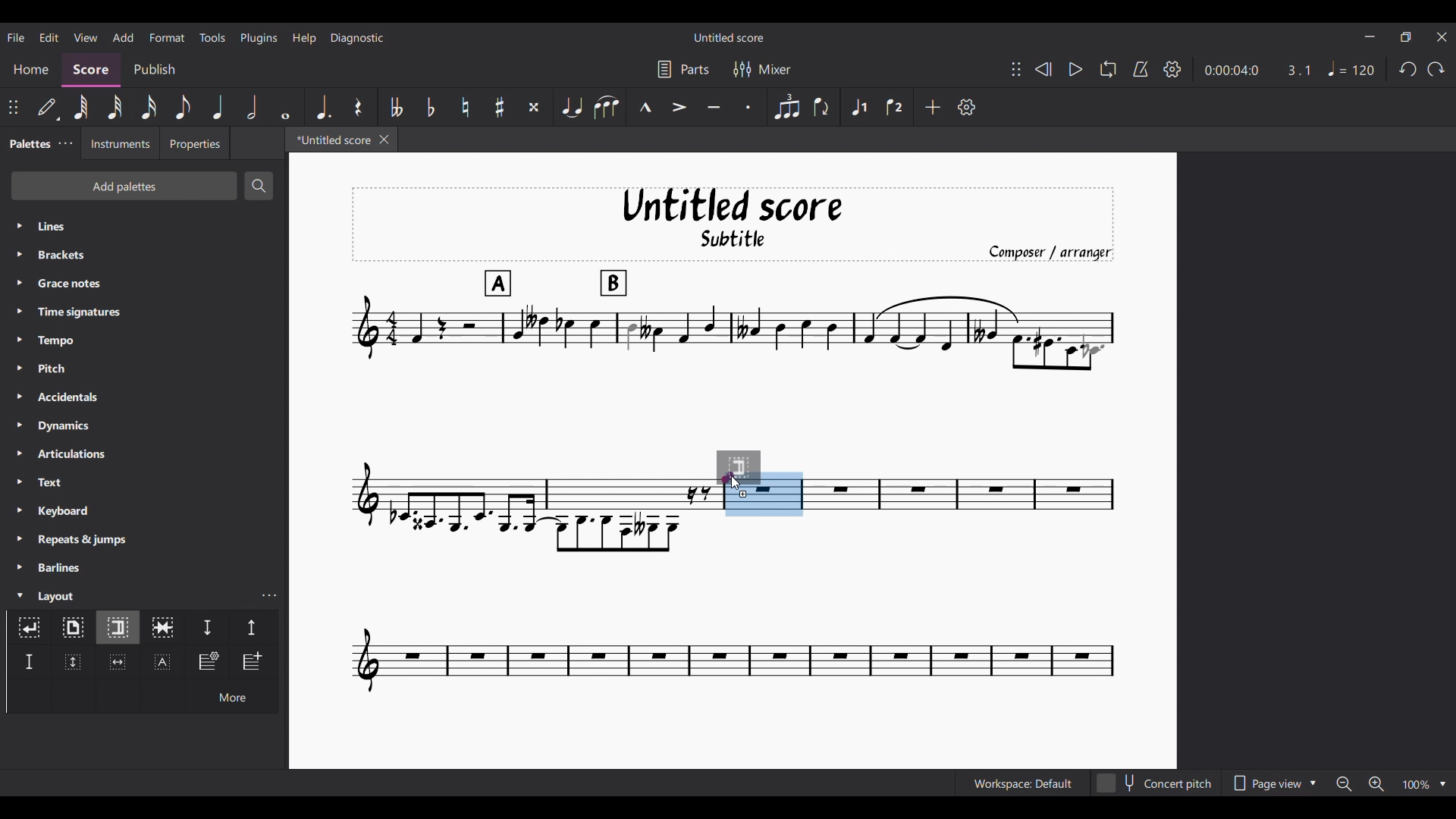  I want to click on Voice 1, so click(858, 107).